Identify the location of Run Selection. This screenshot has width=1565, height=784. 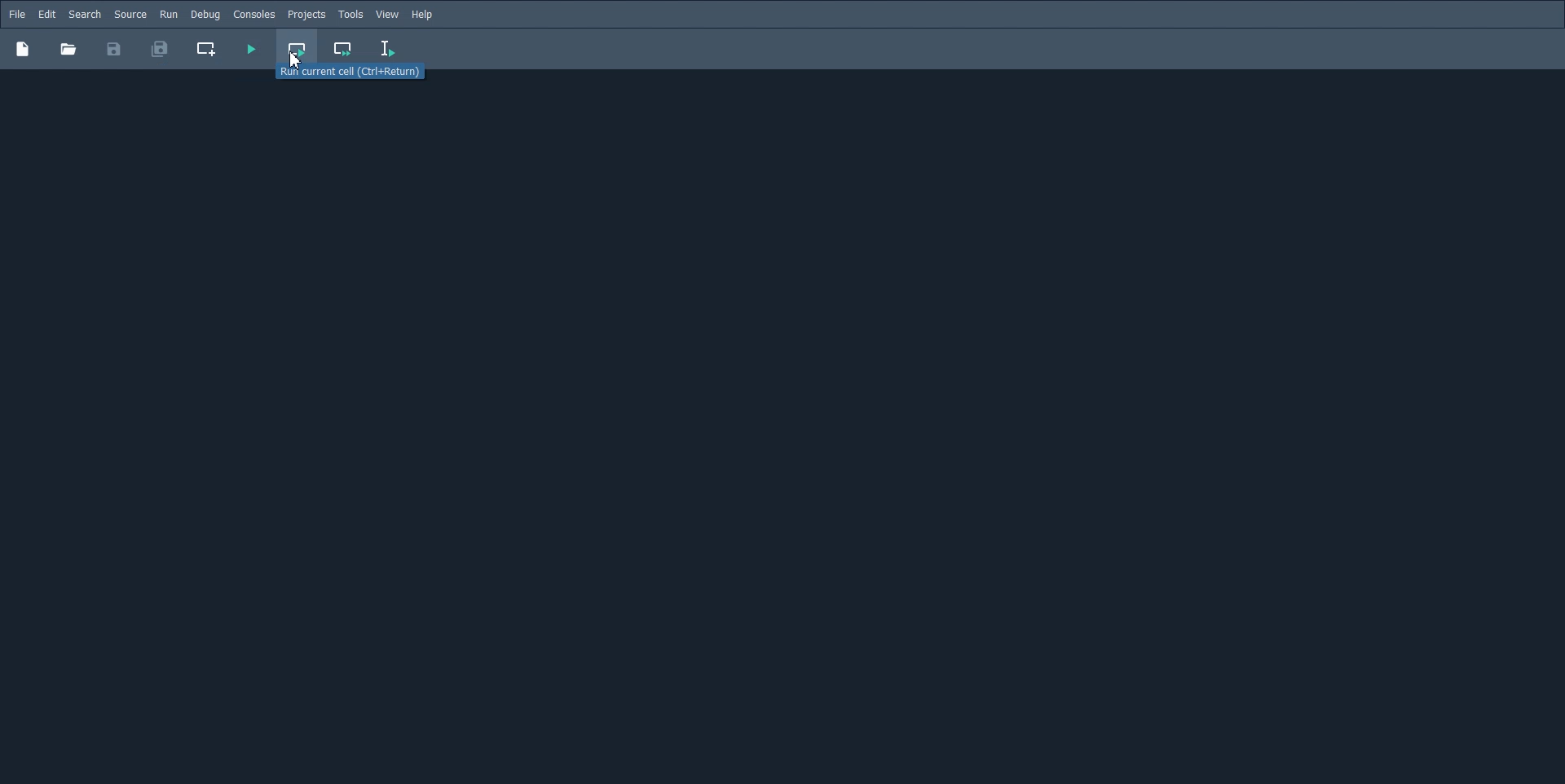
(388, 49).